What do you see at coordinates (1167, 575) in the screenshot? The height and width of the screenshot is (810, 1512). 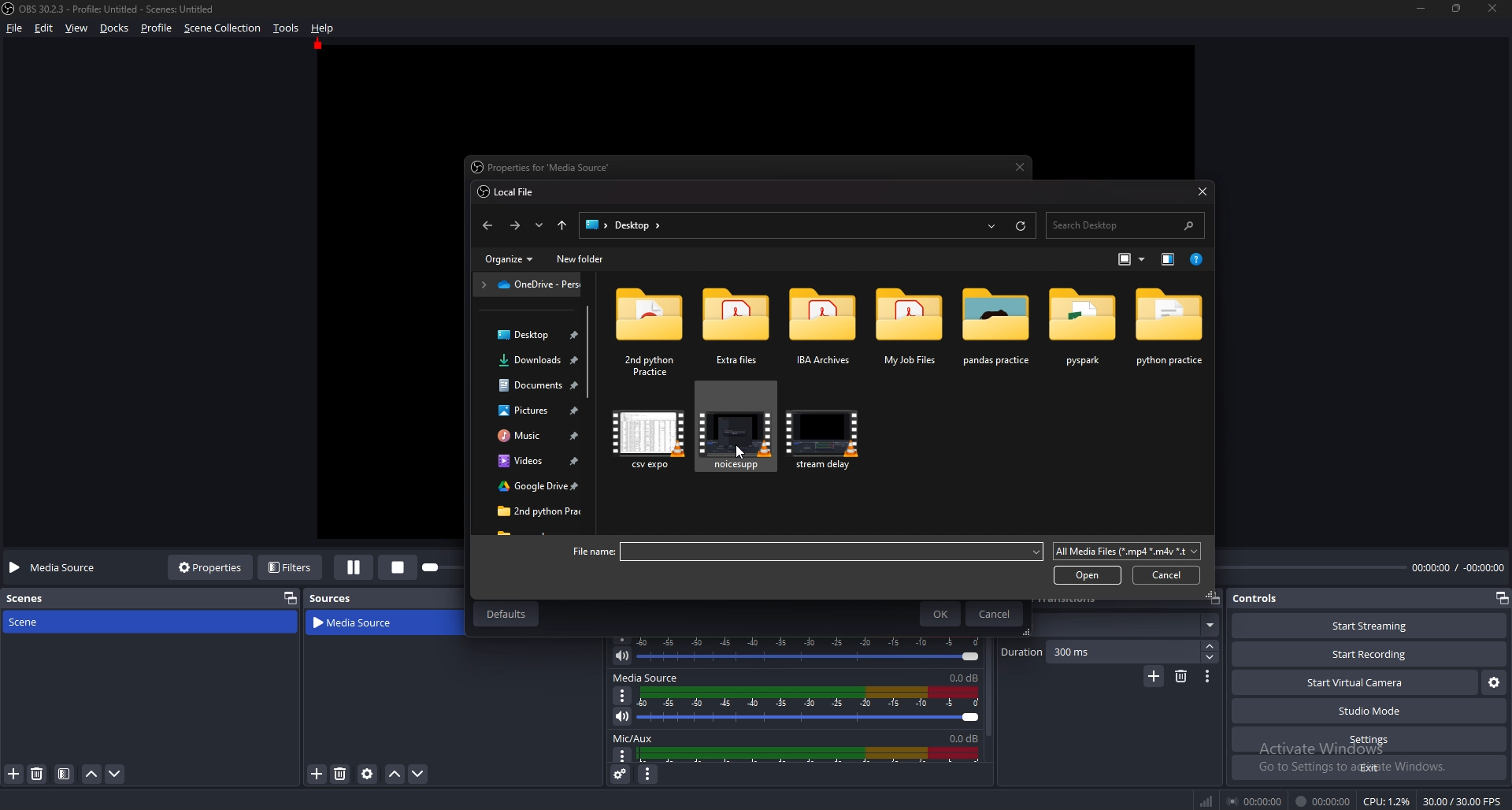 I see `Cancel` at bounding box center [1167, 575].